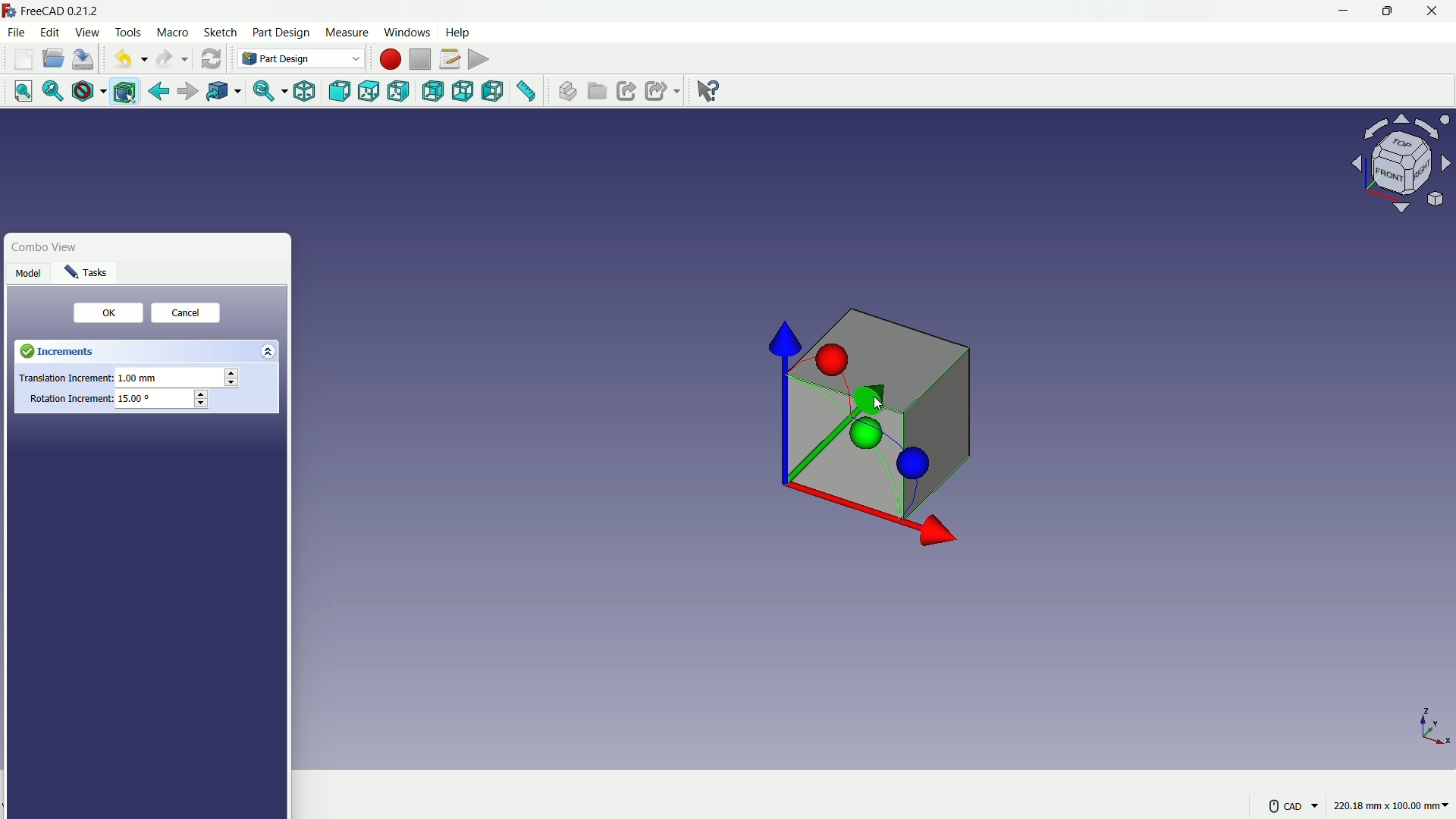 The width and height of the screenshot is (1456, 819). I want to click on forward, so click(186, 93).